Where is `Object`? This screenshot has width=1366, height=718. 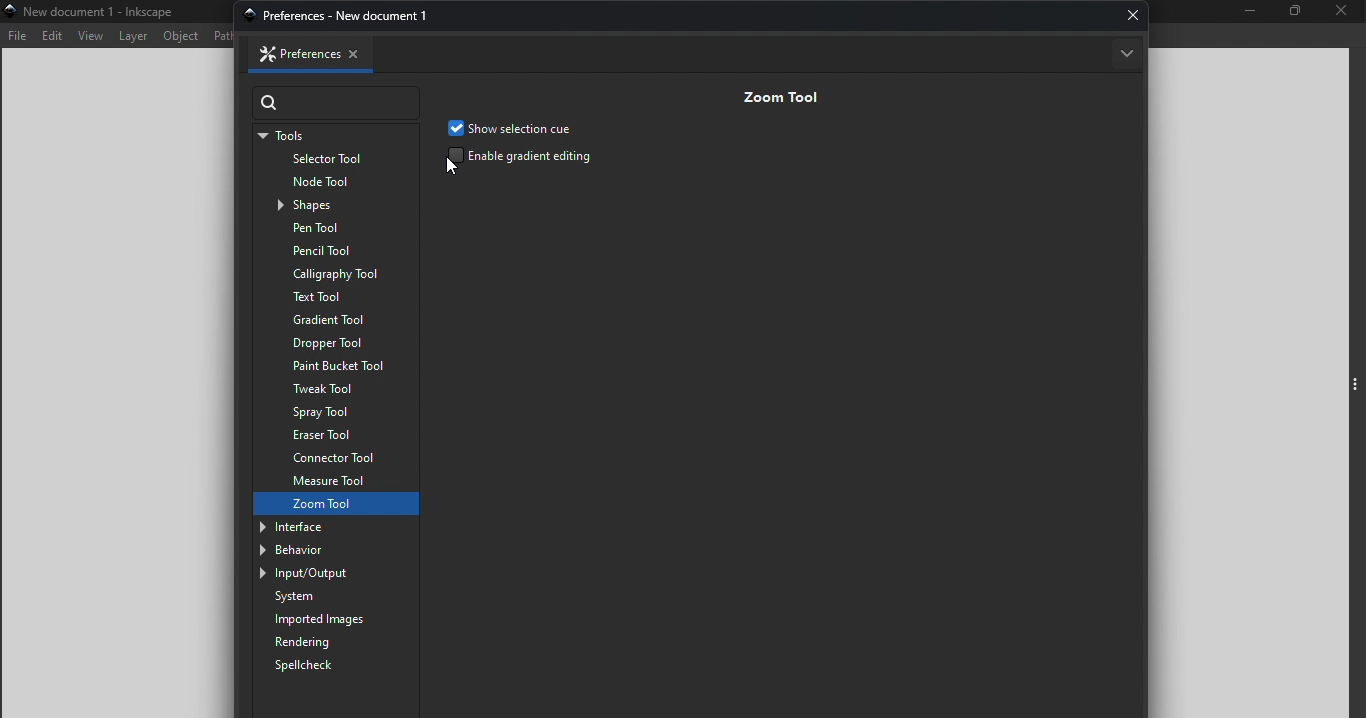
Object is located at coordinates (179, 37).